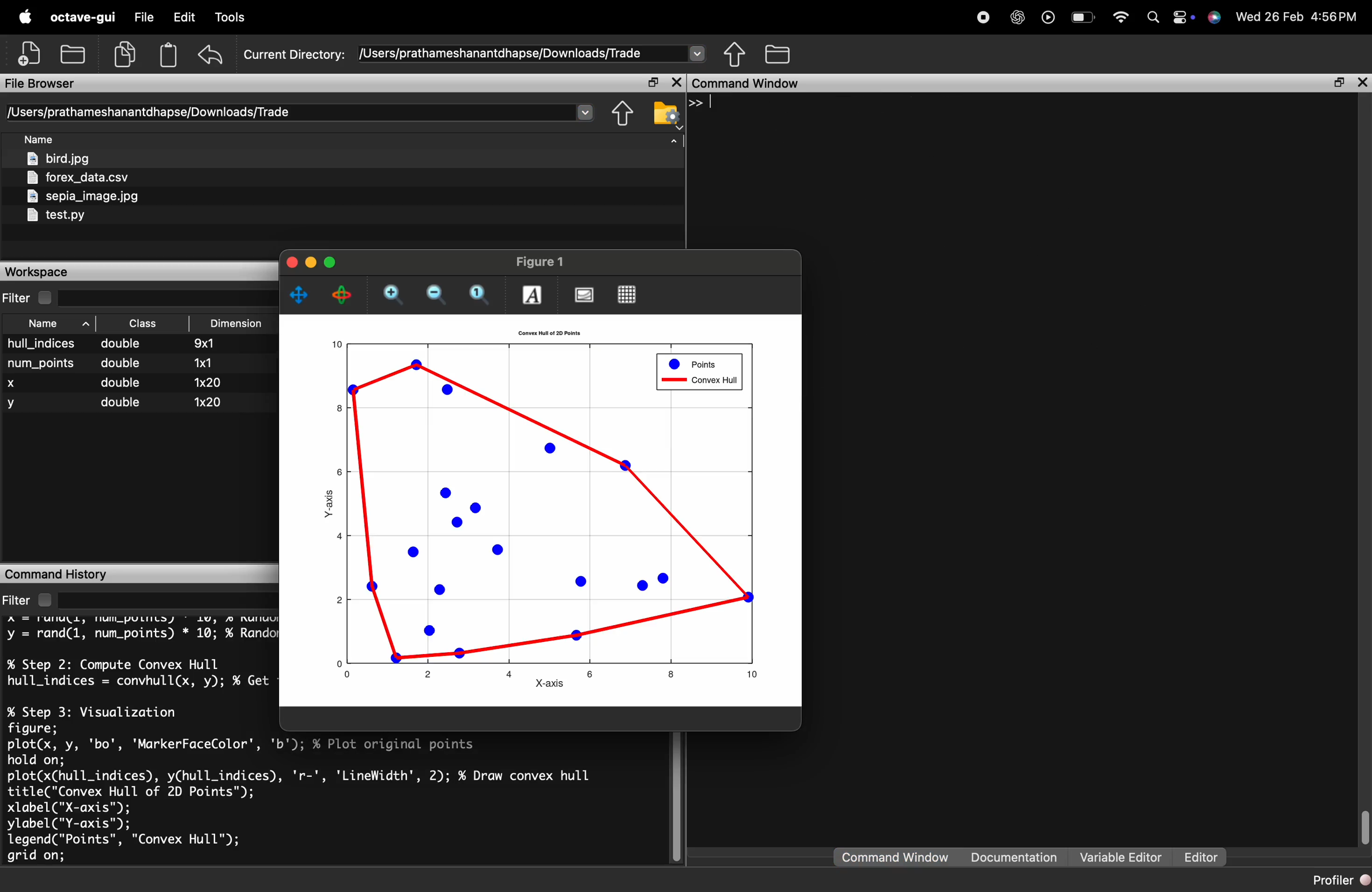  Describe the element at coordinates (342, 16) in the screenshot. I see `Window` at that location.